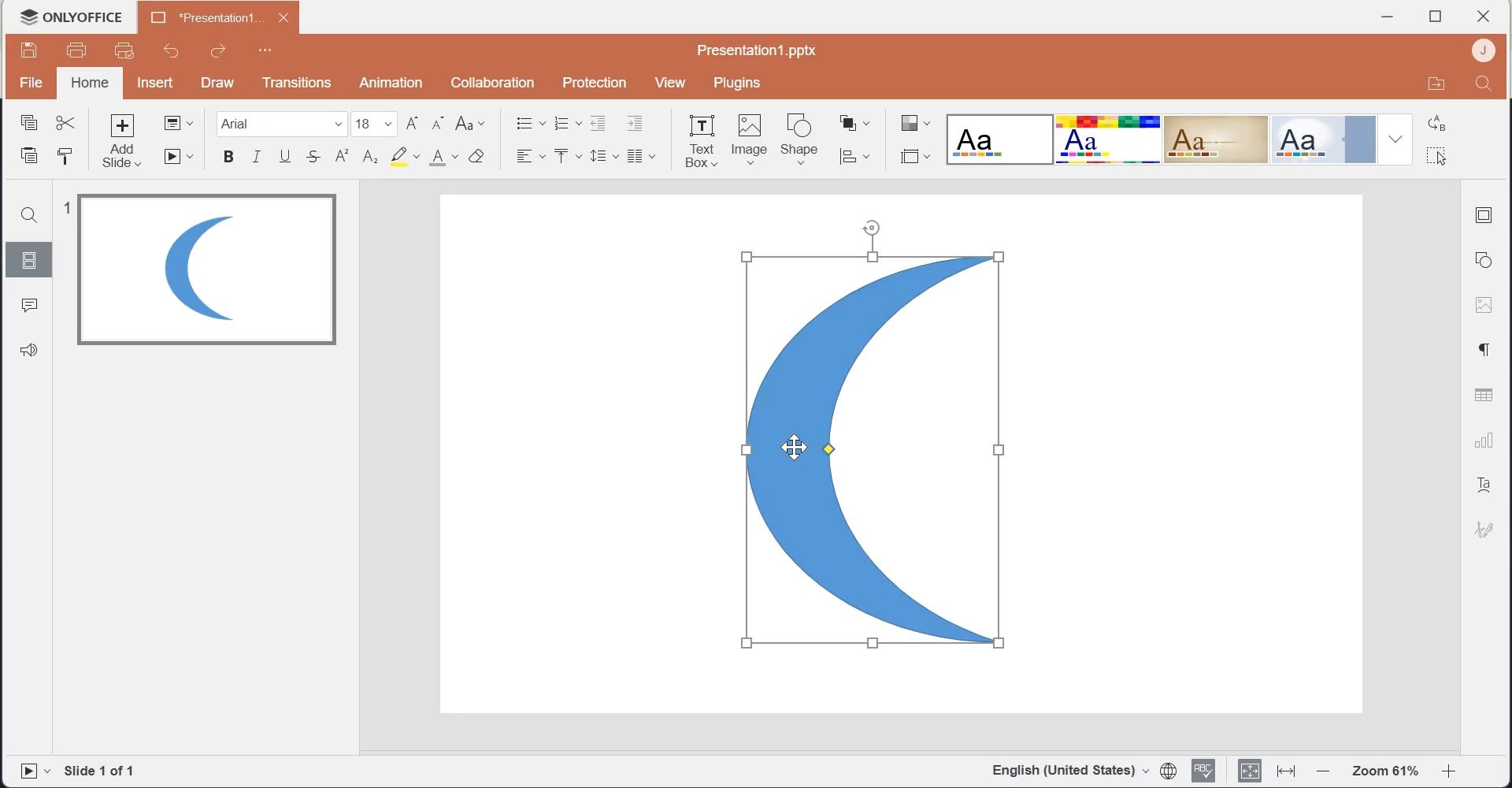 The height and width of the screenshot is (788, 1512). I want to click on Search, so click(31, 214).